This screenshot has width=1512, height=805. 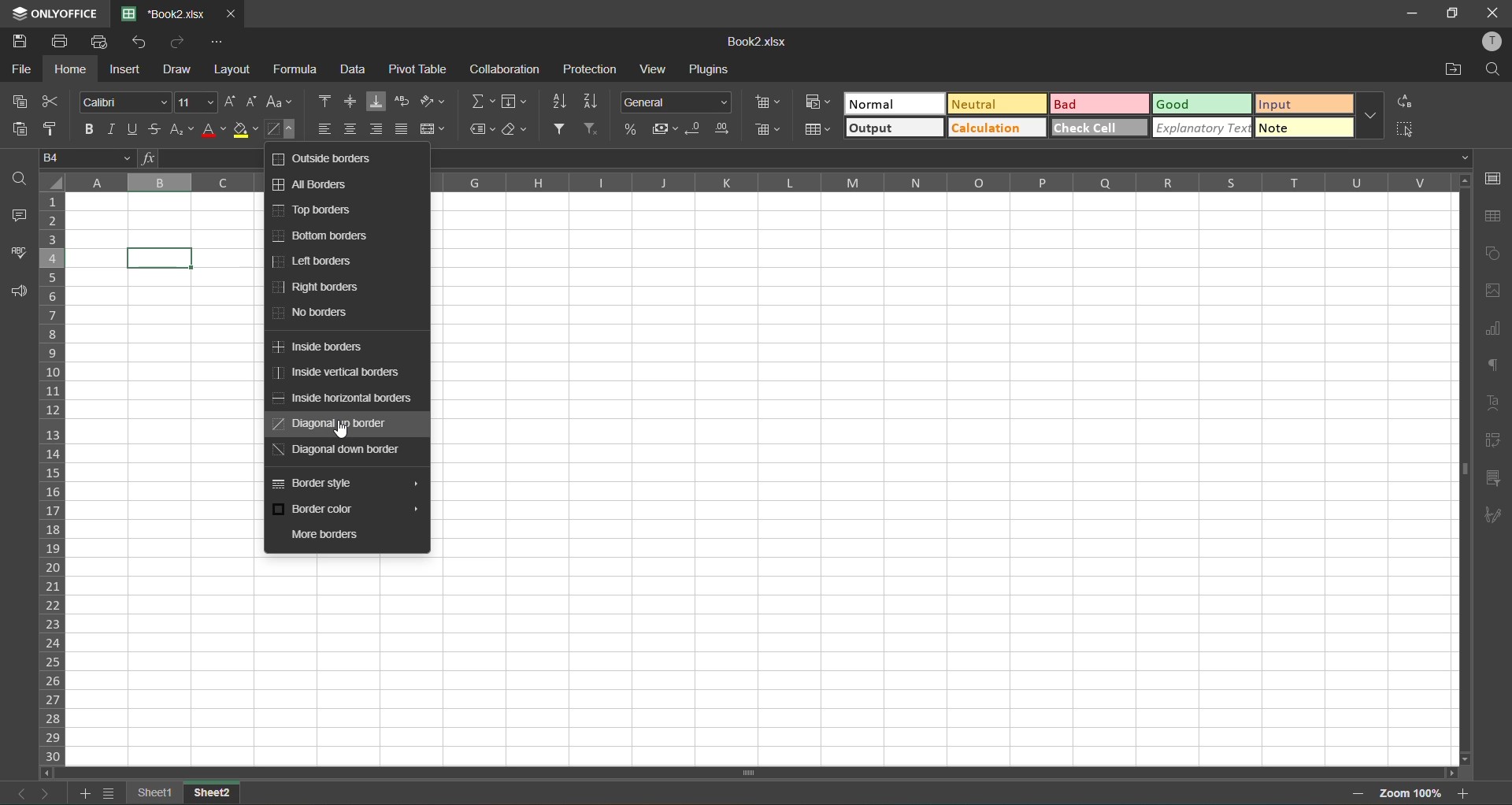 What do you see at coordinates (401, 102) in the screenshot?
I see `wrap text` at bounding box center [401, 102].